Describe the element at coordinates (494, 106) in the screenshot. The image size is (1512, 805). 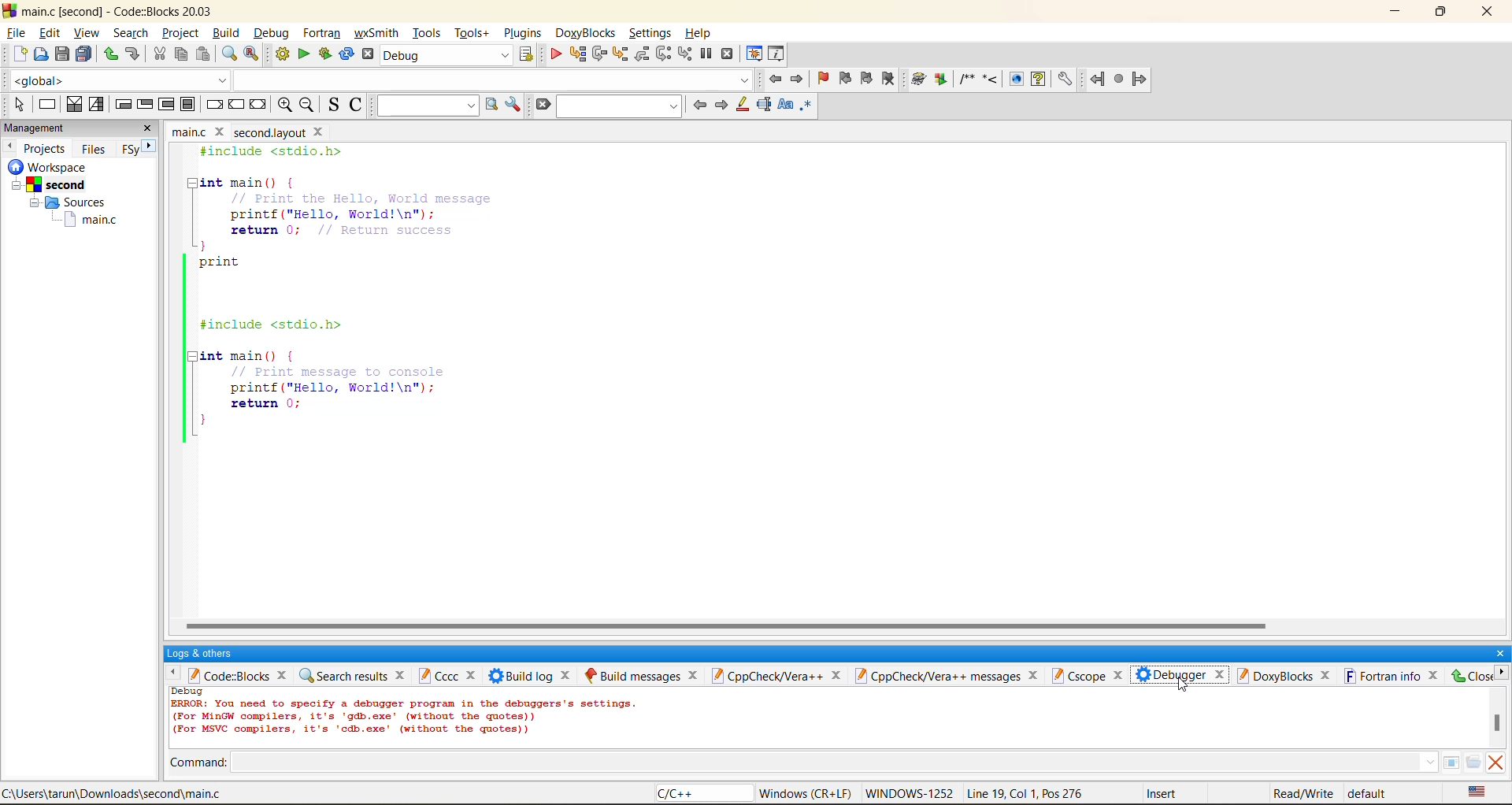
I see `run search` at that location.